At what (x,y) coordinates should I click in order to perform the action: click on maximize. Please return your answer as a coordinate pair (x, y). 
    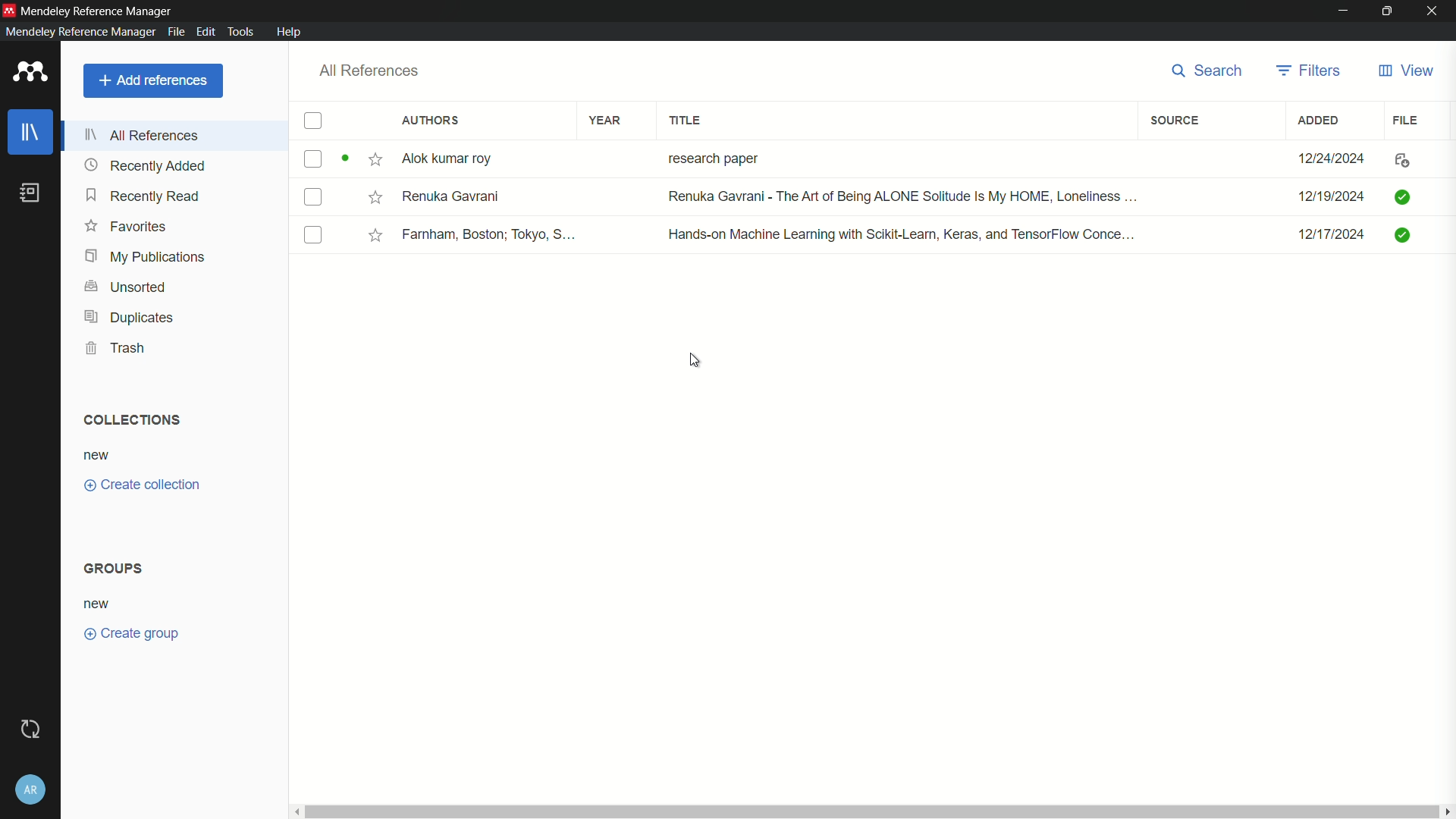
    Looking at the image, I should click on (1389, 11).